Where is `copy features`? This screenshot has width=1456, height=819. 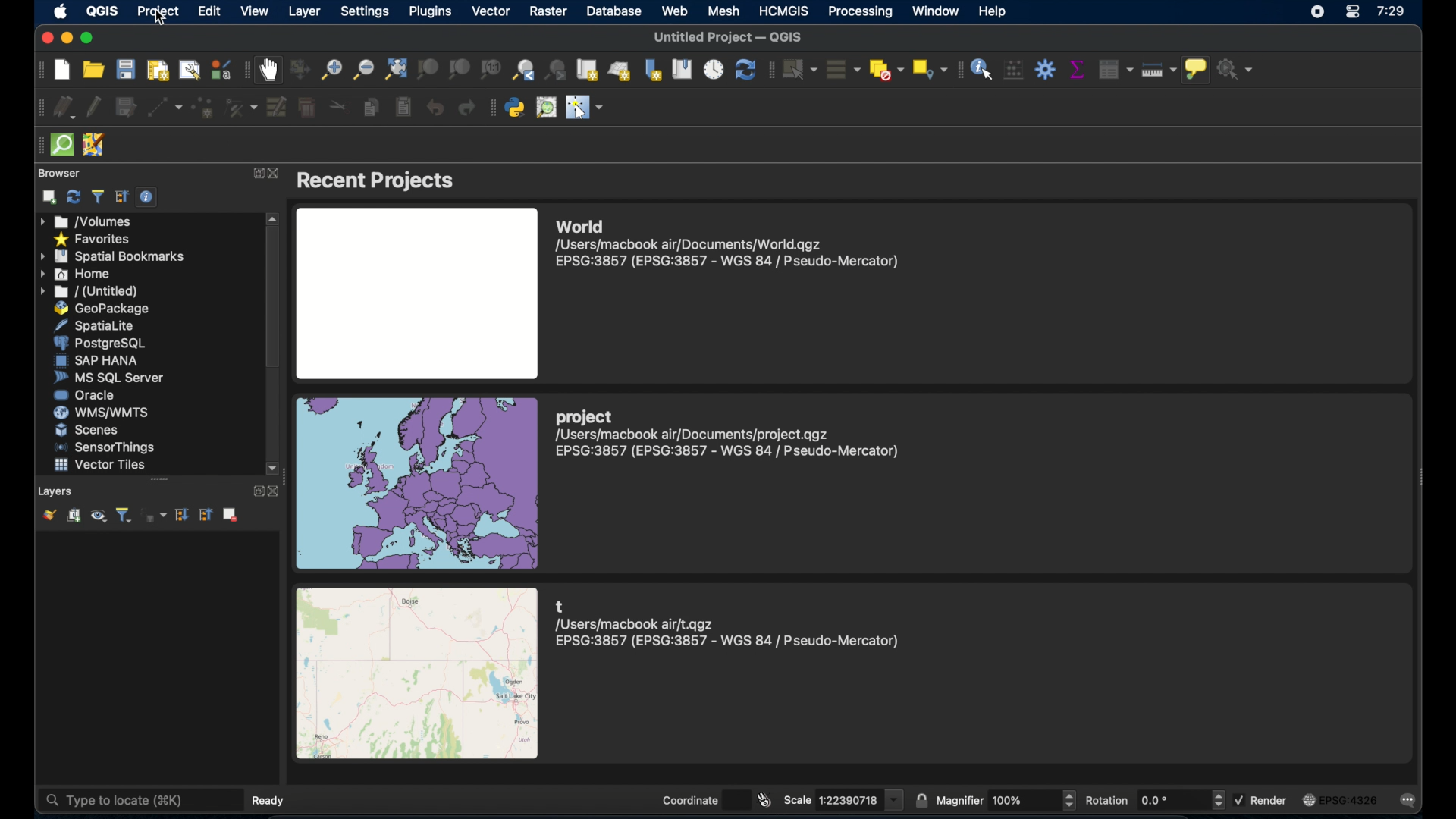
copy features is located at coordinates (370, 108).